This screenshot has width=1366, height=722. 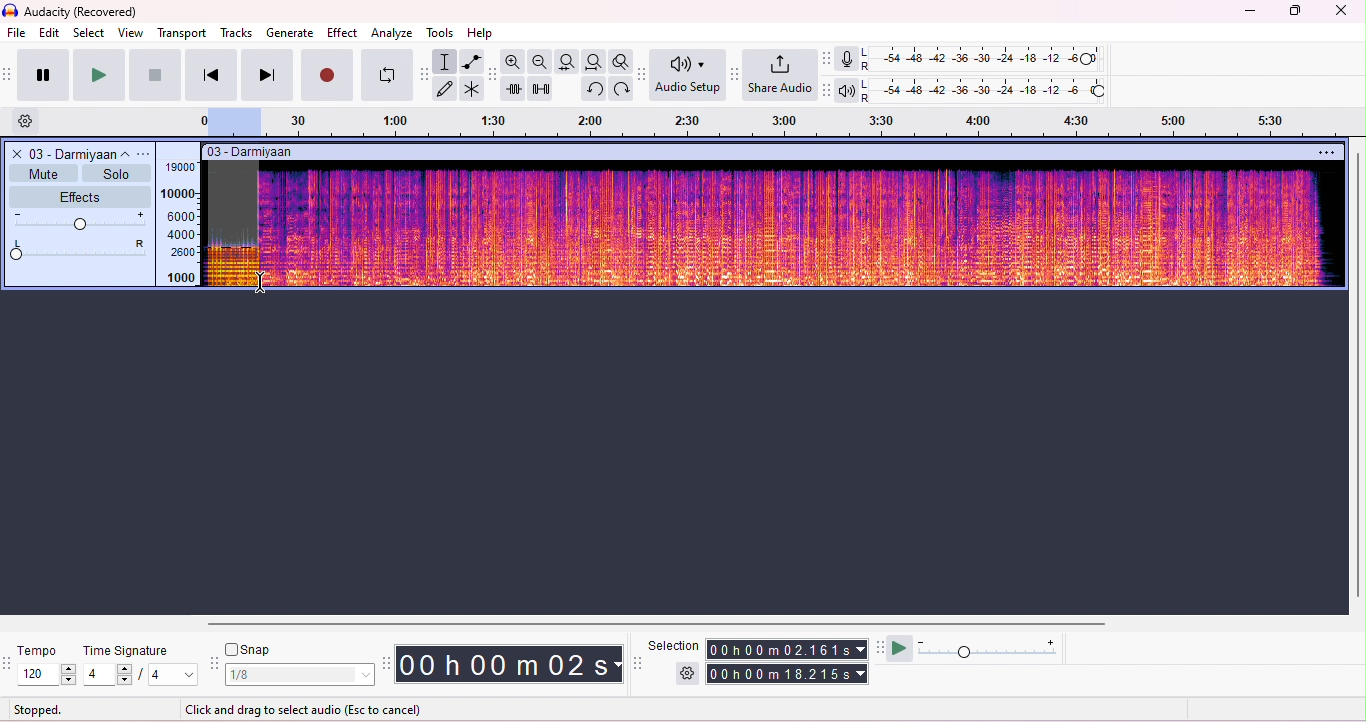 What do you see at coordinates (47, 674) in the screenshot?
I see `select tempo` at bounding box center [47, 674].